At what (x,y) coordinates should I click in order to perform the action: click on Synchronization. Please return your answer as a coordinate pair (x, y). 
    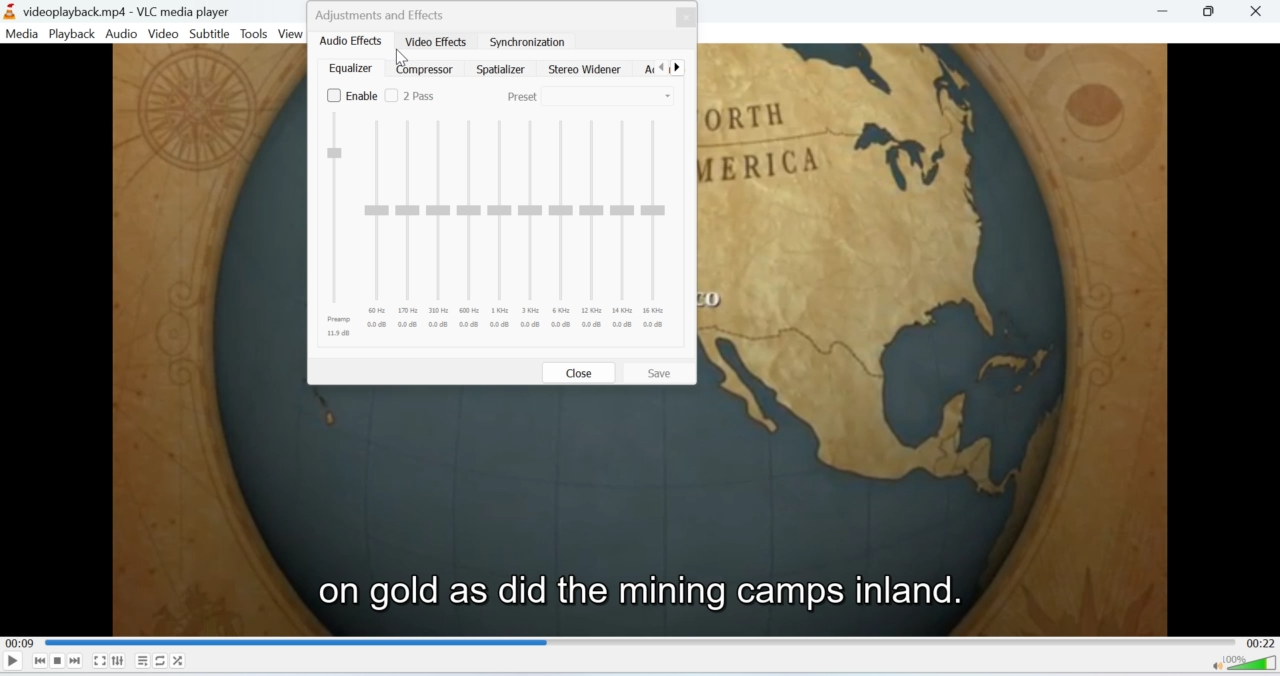
    Looking at the image, I should click on (529, 40).